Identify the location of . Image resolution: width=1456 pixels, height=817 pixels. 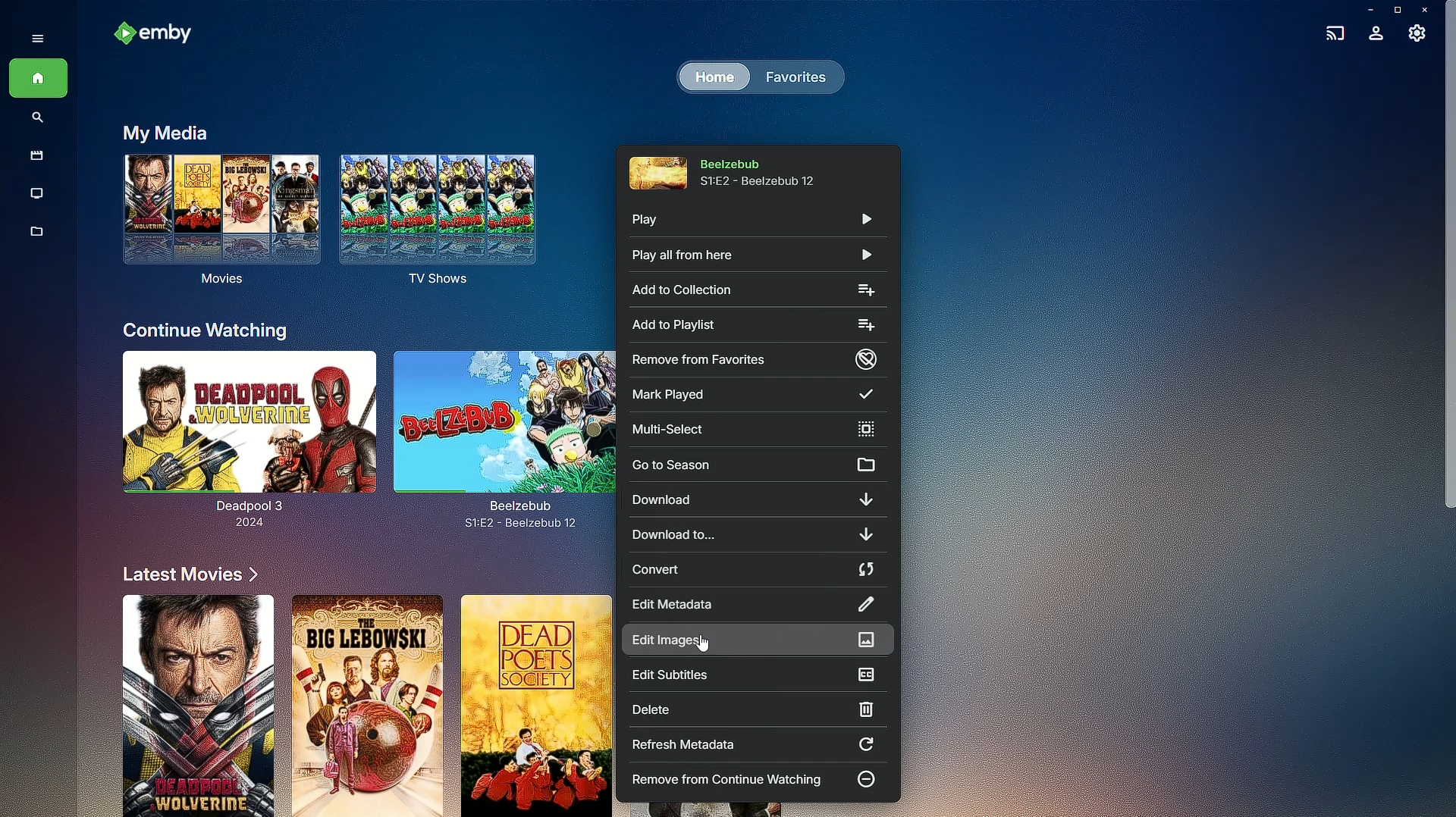
(538, 706).